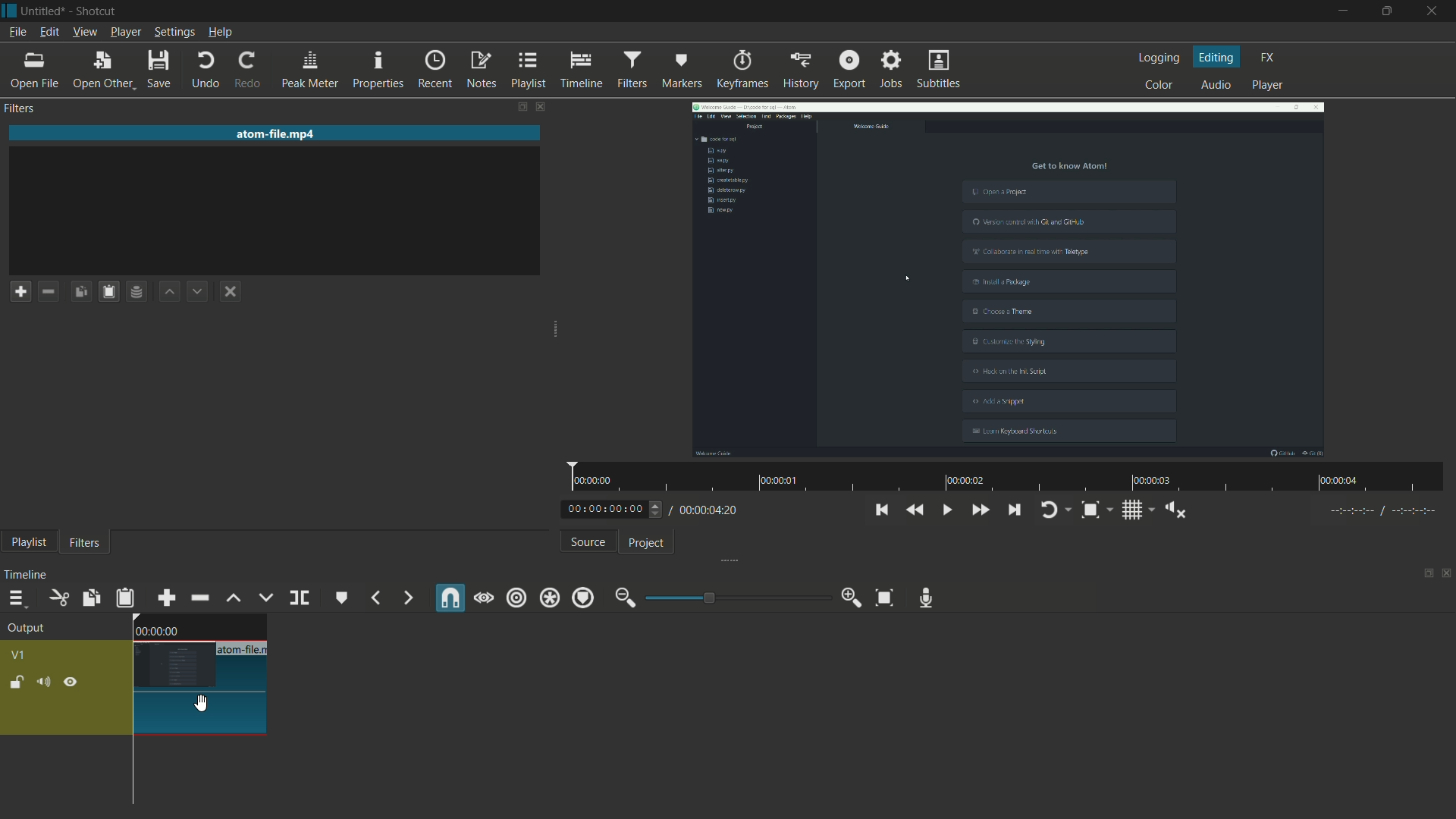 The height and width of the screenshot is (819, 1456). Describe the element at coordinates (71, 683) in the screenshot. I see `hide/show` at that location.